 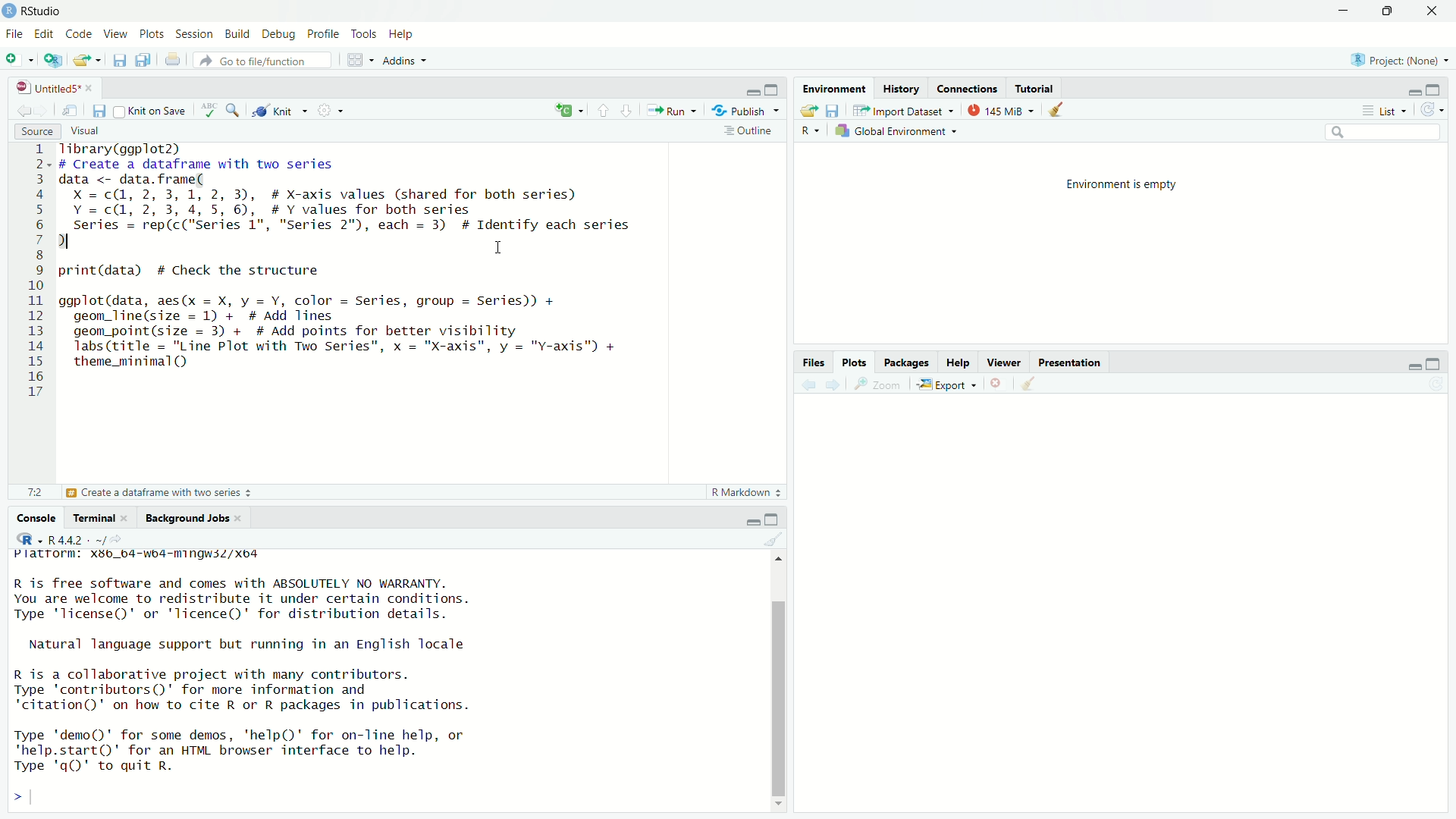 What do you see at coordinates (1432, 363) in the screenshot?
I see `Maximize` at bounding box center [1432, 363].